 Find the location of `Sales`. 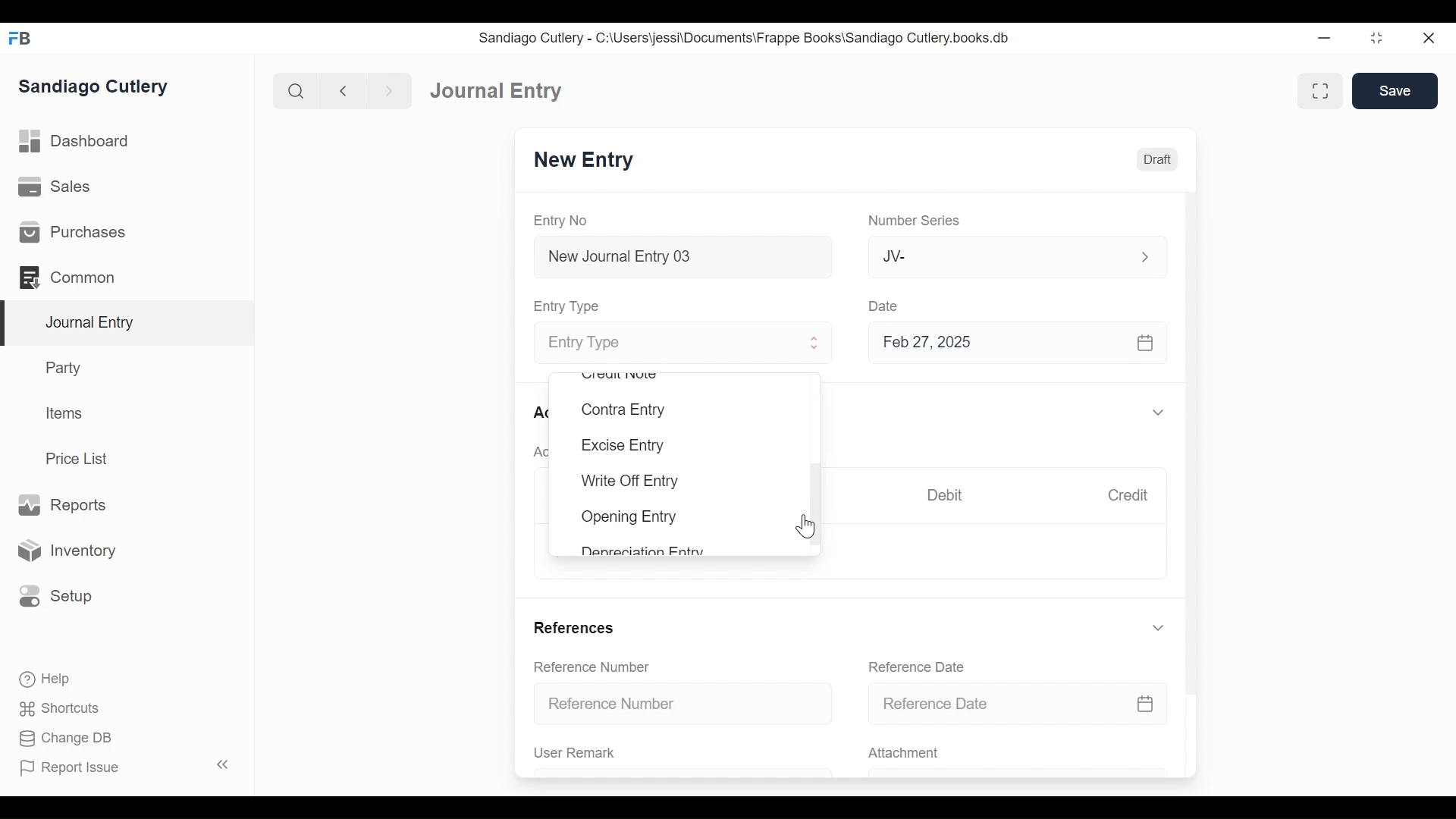

Sales is located at coordinates (55, 186).